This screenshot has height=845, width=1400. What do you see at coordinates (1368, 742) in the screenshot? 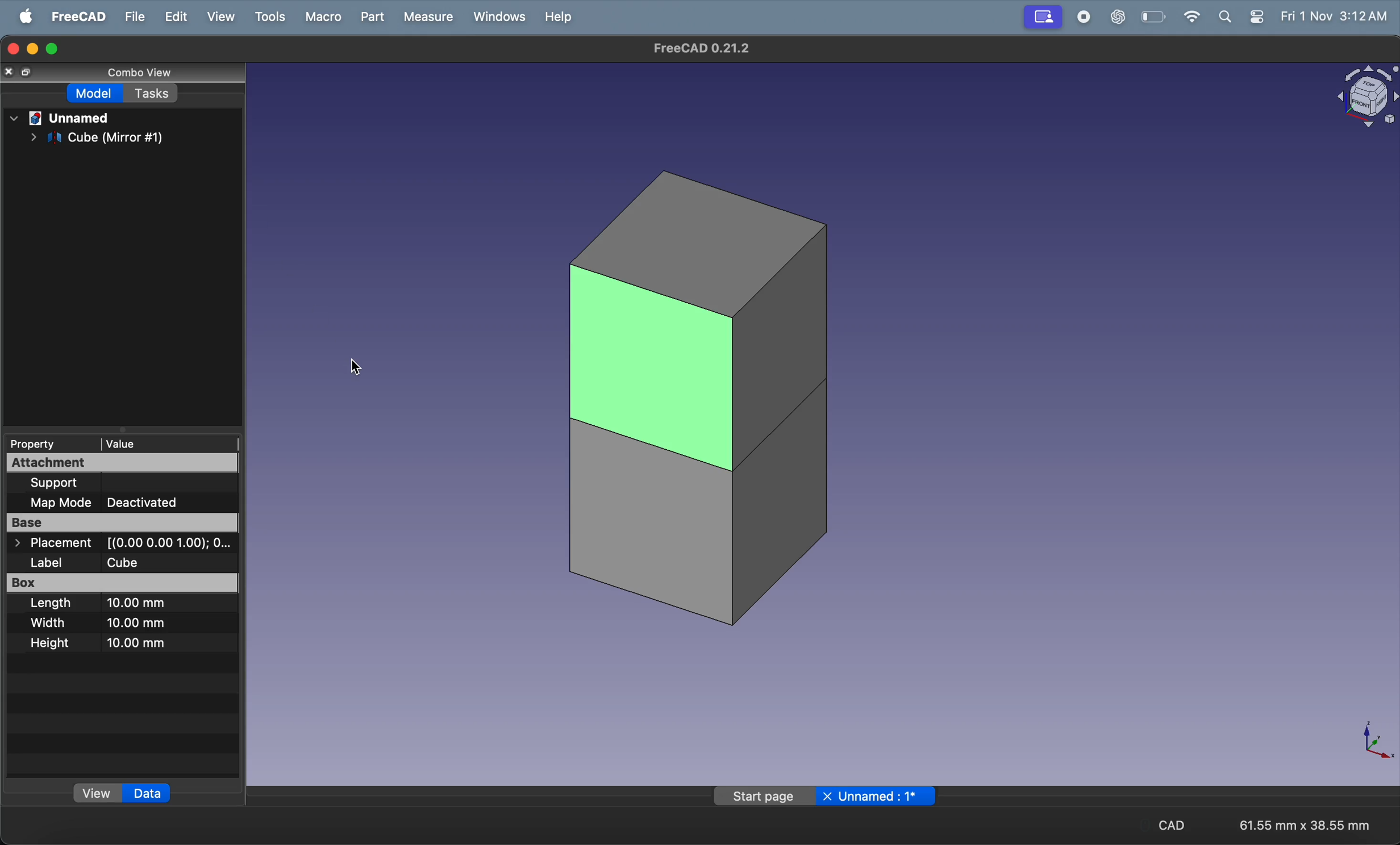
I see `axis` at bounding box center [1368, 742].